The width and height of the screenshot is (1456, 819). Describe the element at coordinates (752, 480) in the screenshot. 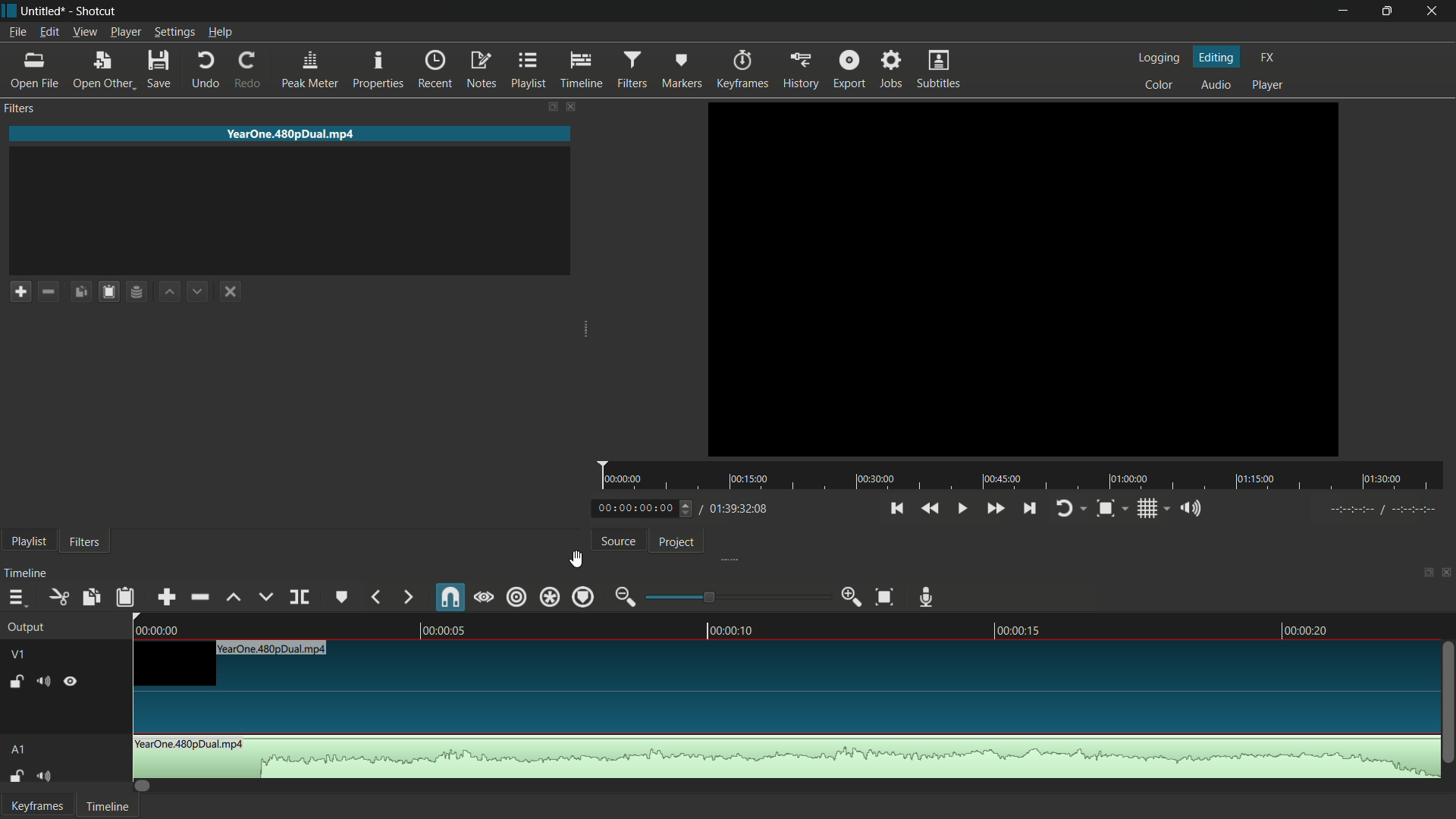

I see `00:15:00` at that location.